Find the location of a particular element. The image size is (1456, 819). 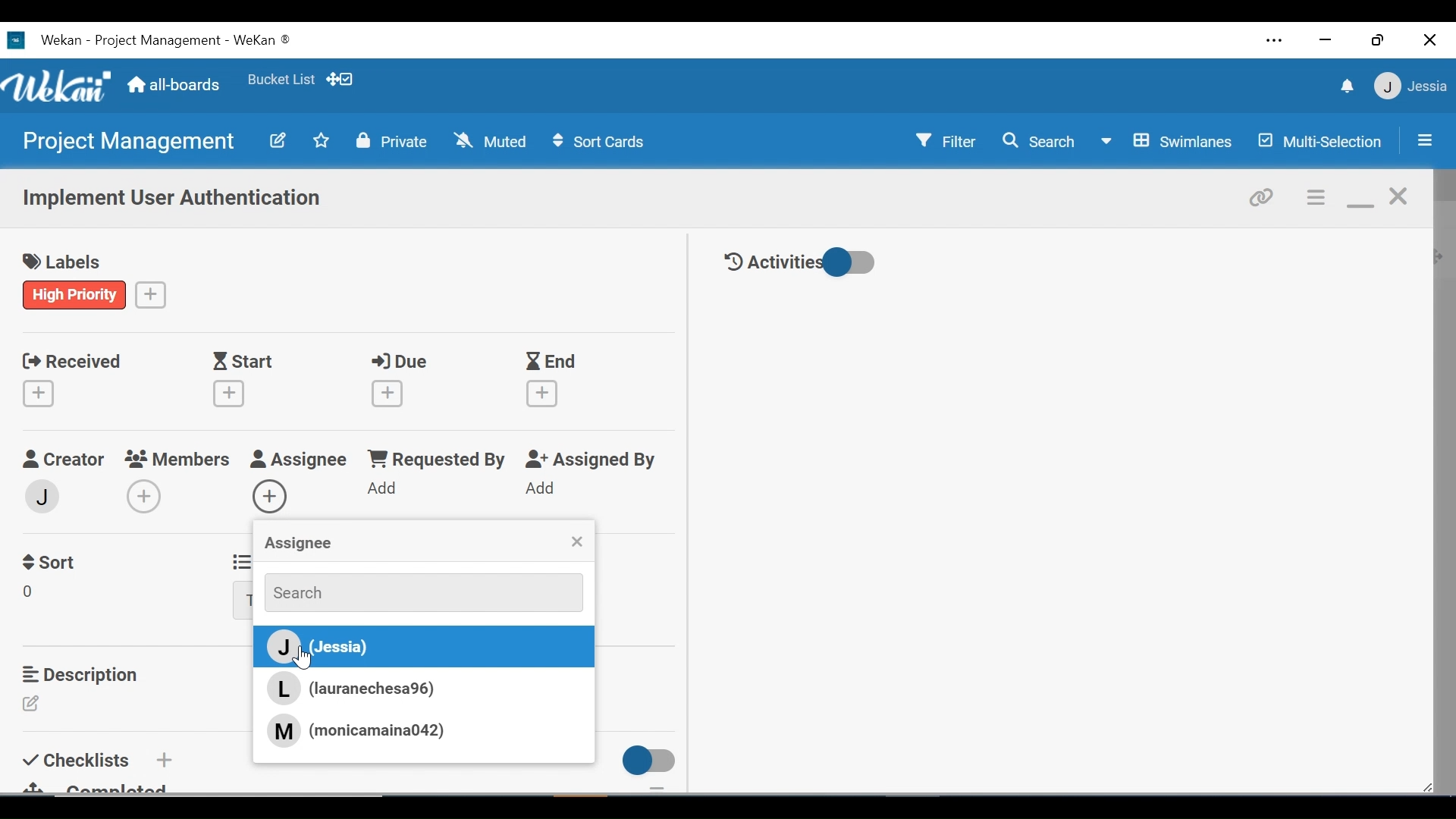

Add is located at coordinates (162, 759).